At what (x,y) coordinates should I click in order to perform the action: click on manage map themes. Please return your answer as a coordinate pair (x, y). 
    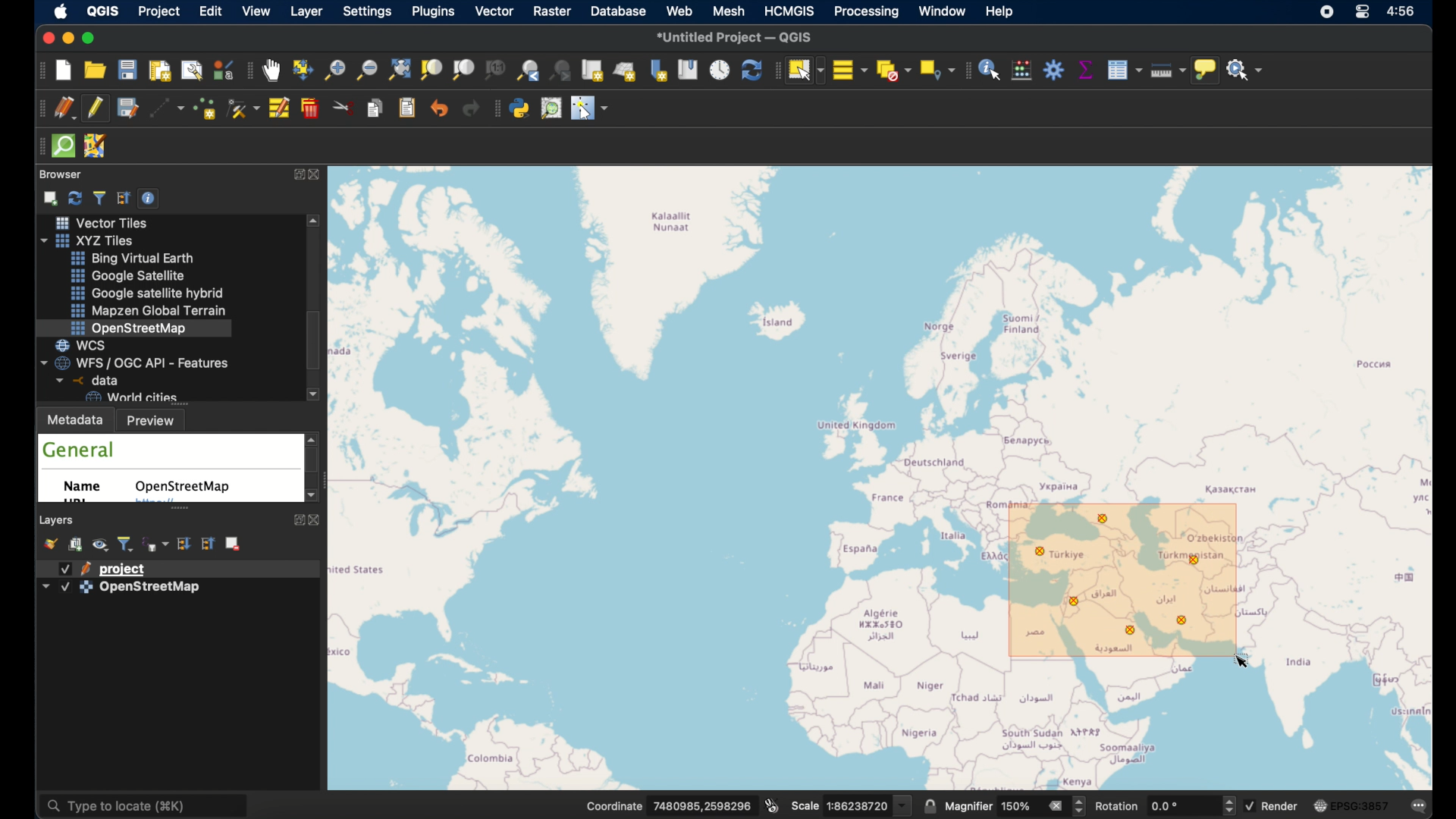
    Looking at the image, I should click on (102, 546).